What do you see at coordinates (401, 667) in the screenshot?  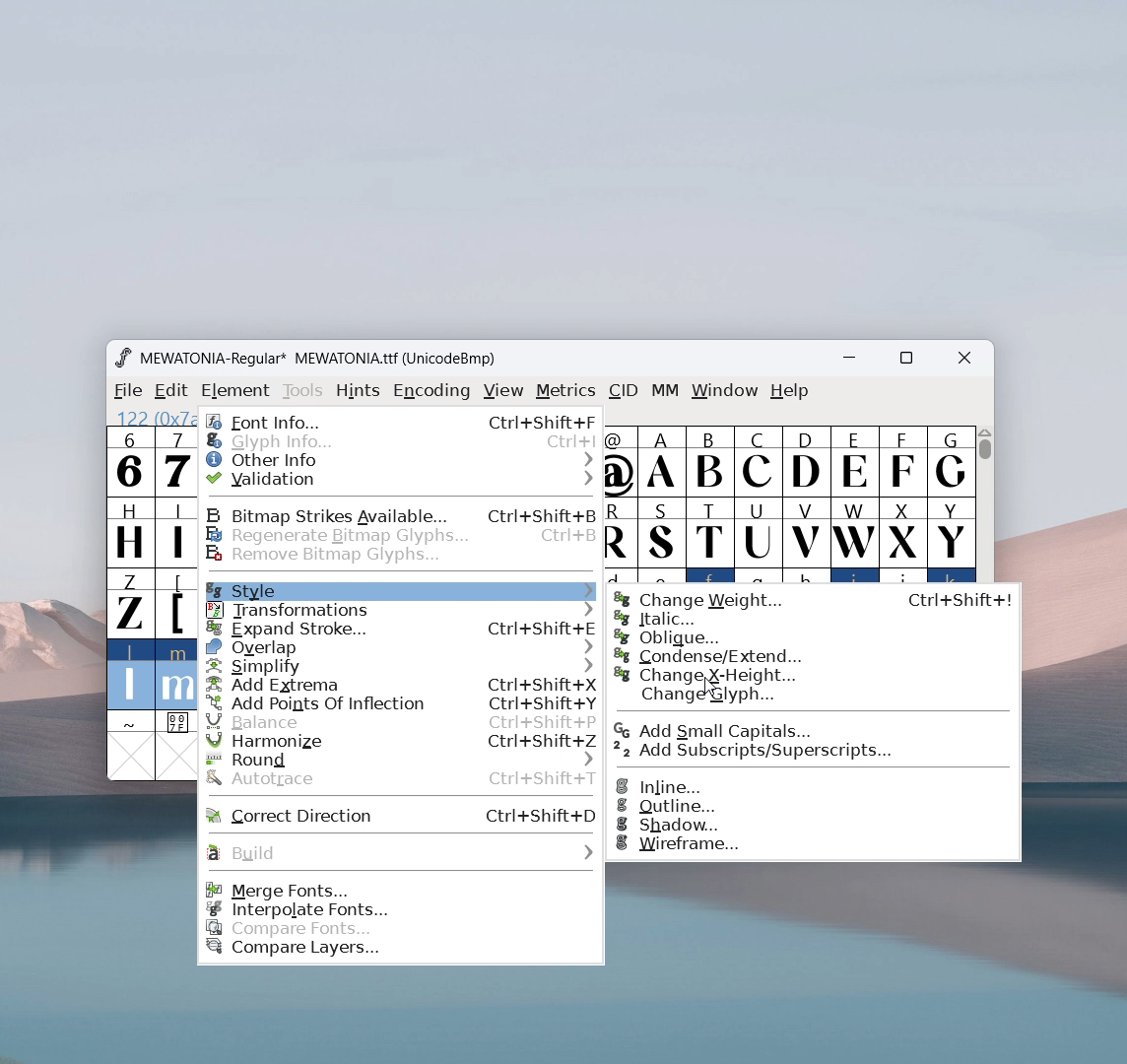 I see `simplify` at bounding box center [401, 667].